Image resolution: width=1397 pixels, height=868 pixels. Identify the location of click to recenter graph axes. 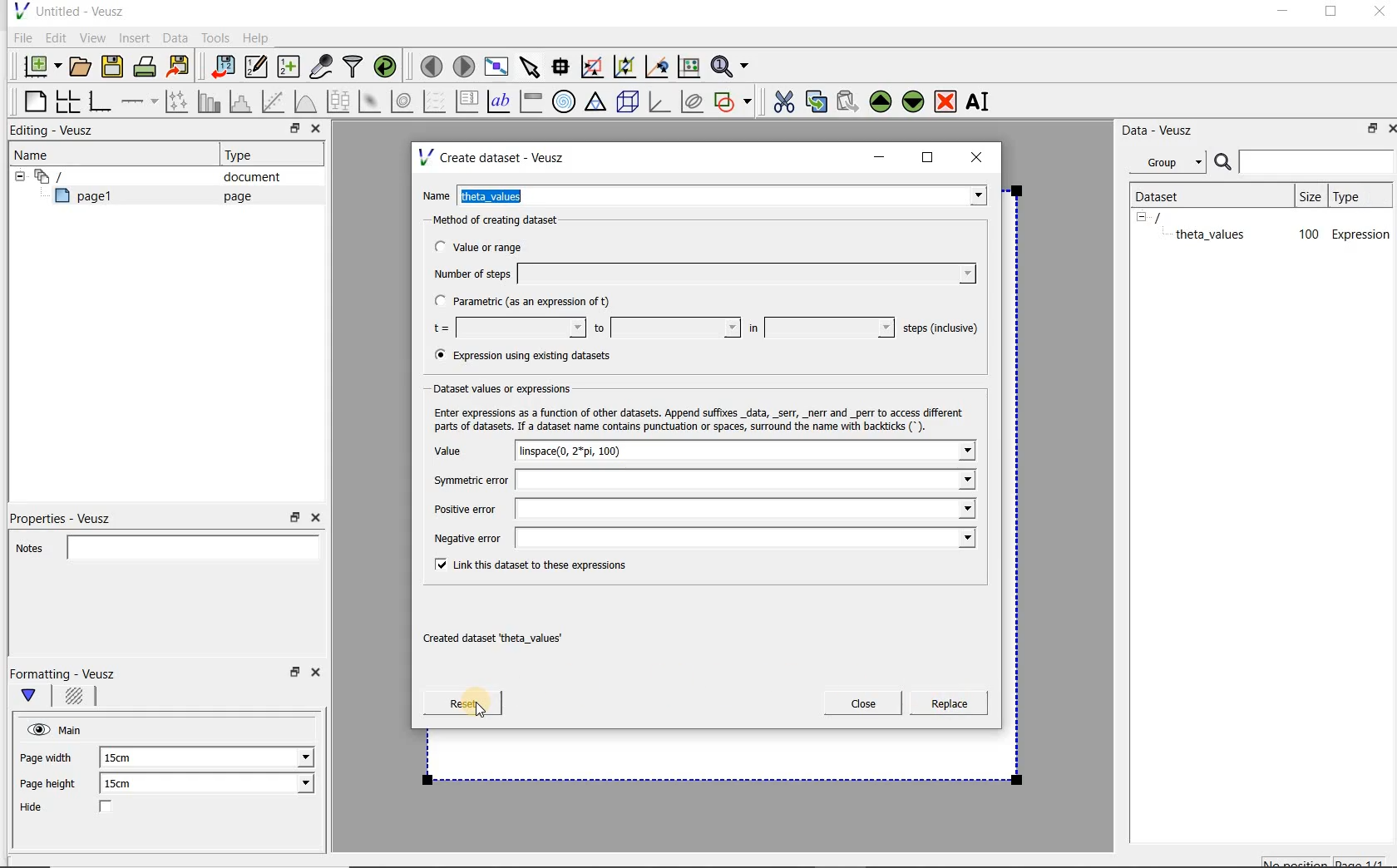
(658, 67).